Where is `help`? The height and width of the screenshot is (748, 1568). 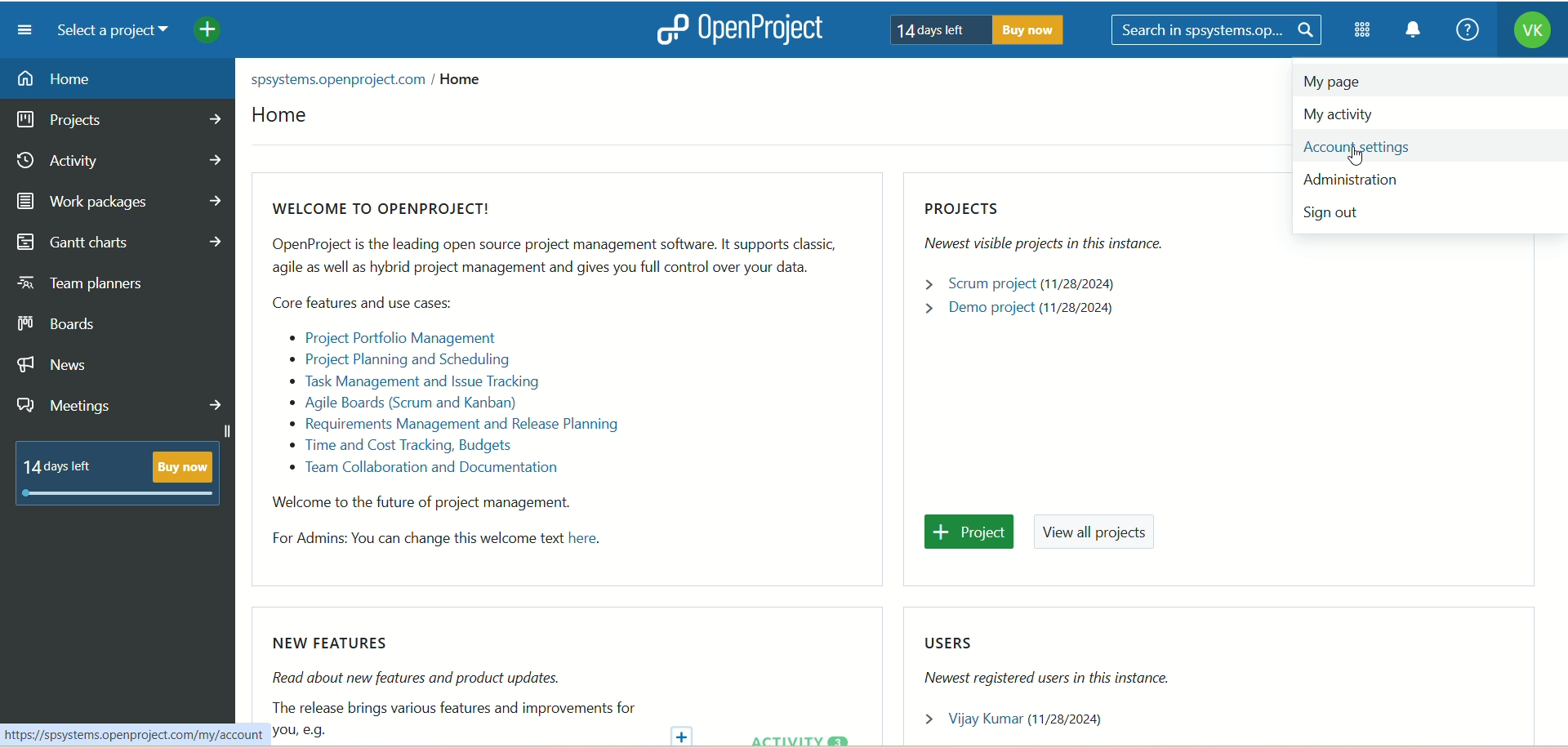 help is located at coordinates (1463, 31).